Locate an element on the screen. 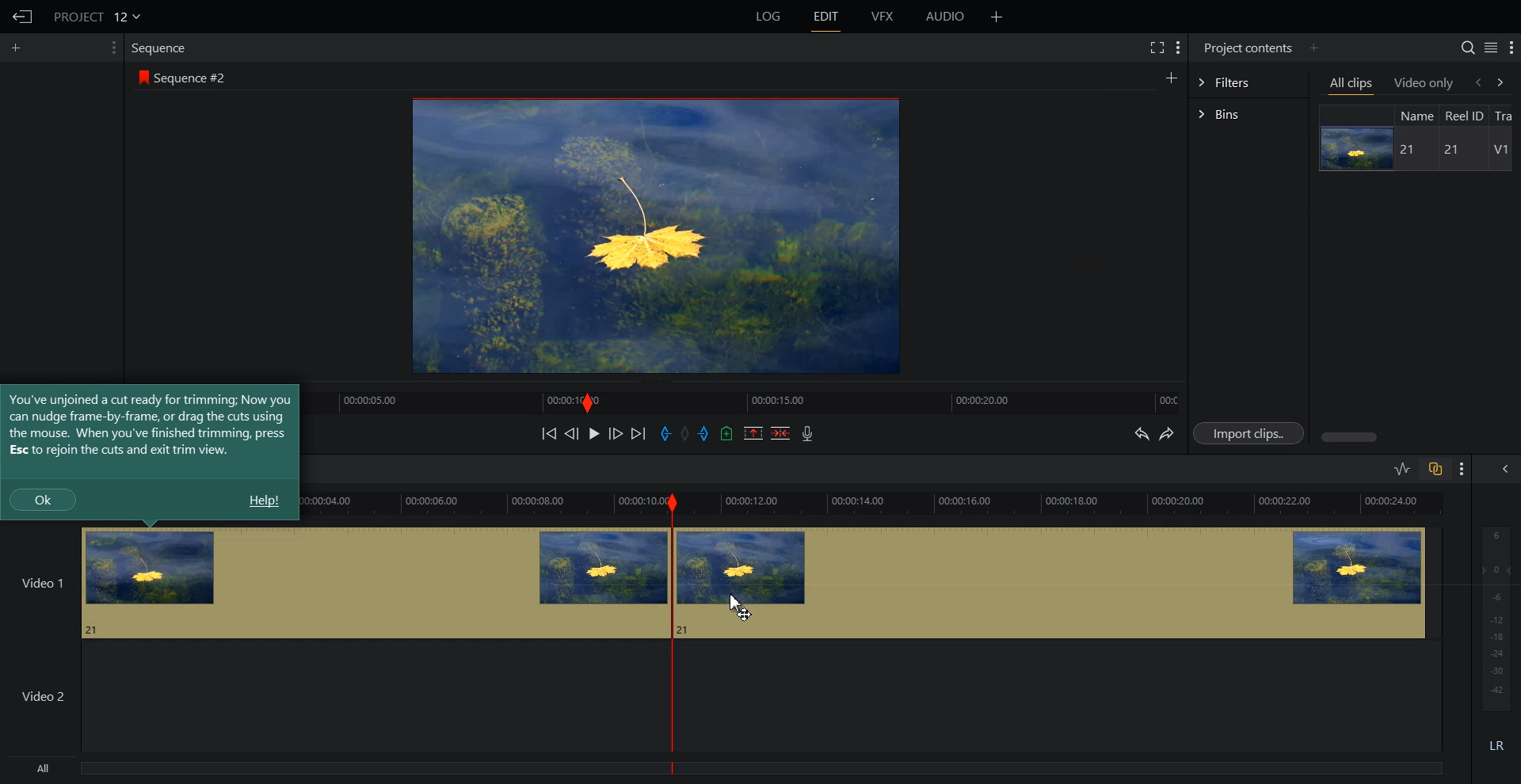 This screenshot has width=1521, height=784. You've unjoined a cut ready for trimming; Now you
can nudge frame-by-frame, or drag the cuts using
the mouse. When you've finished trimming, press
Esc to rejoin the cuts and exit trim view. is located at coordinates (150, 424).